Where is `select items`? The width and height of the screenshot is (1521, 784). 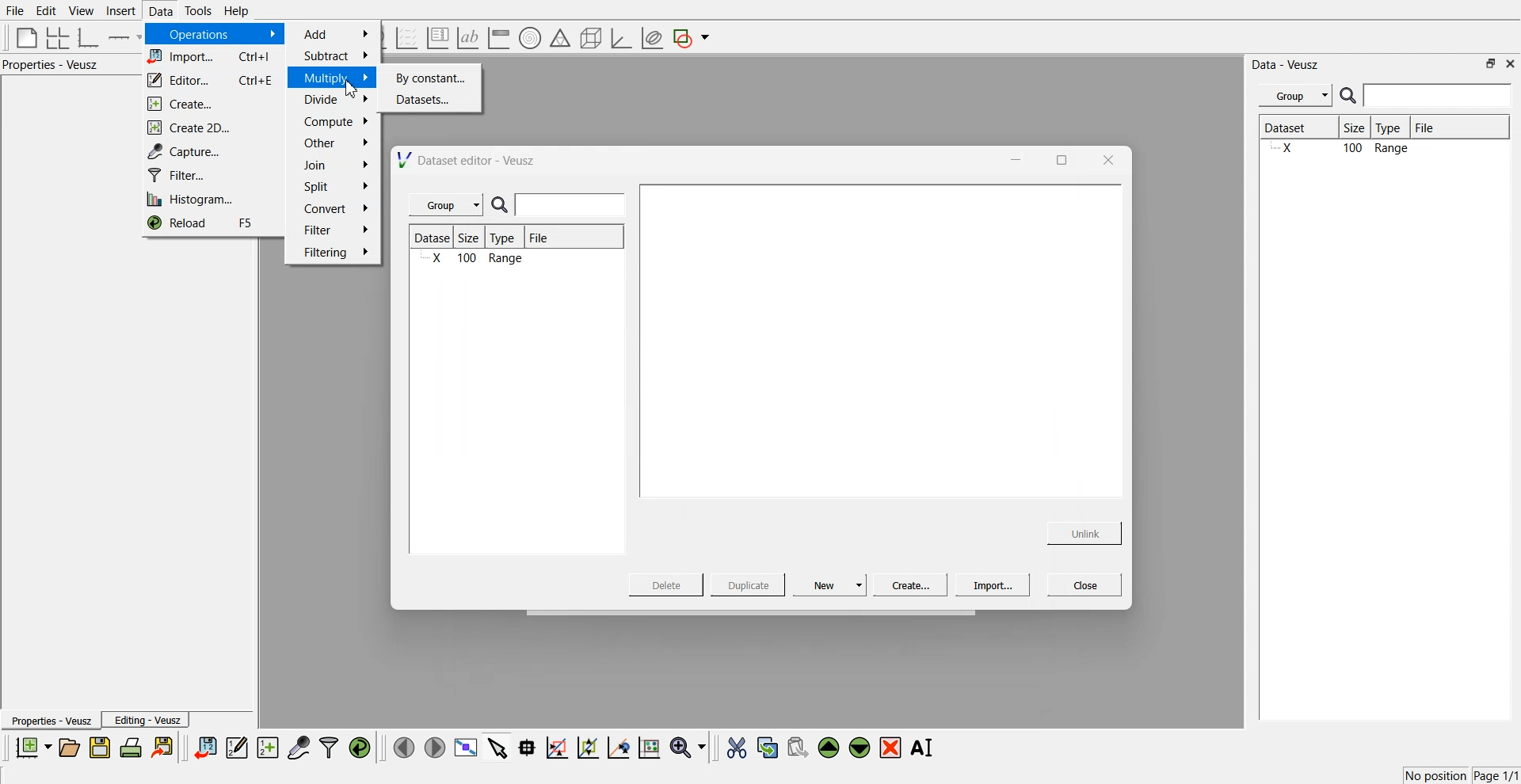
select items is located at coordinates (497, 747).